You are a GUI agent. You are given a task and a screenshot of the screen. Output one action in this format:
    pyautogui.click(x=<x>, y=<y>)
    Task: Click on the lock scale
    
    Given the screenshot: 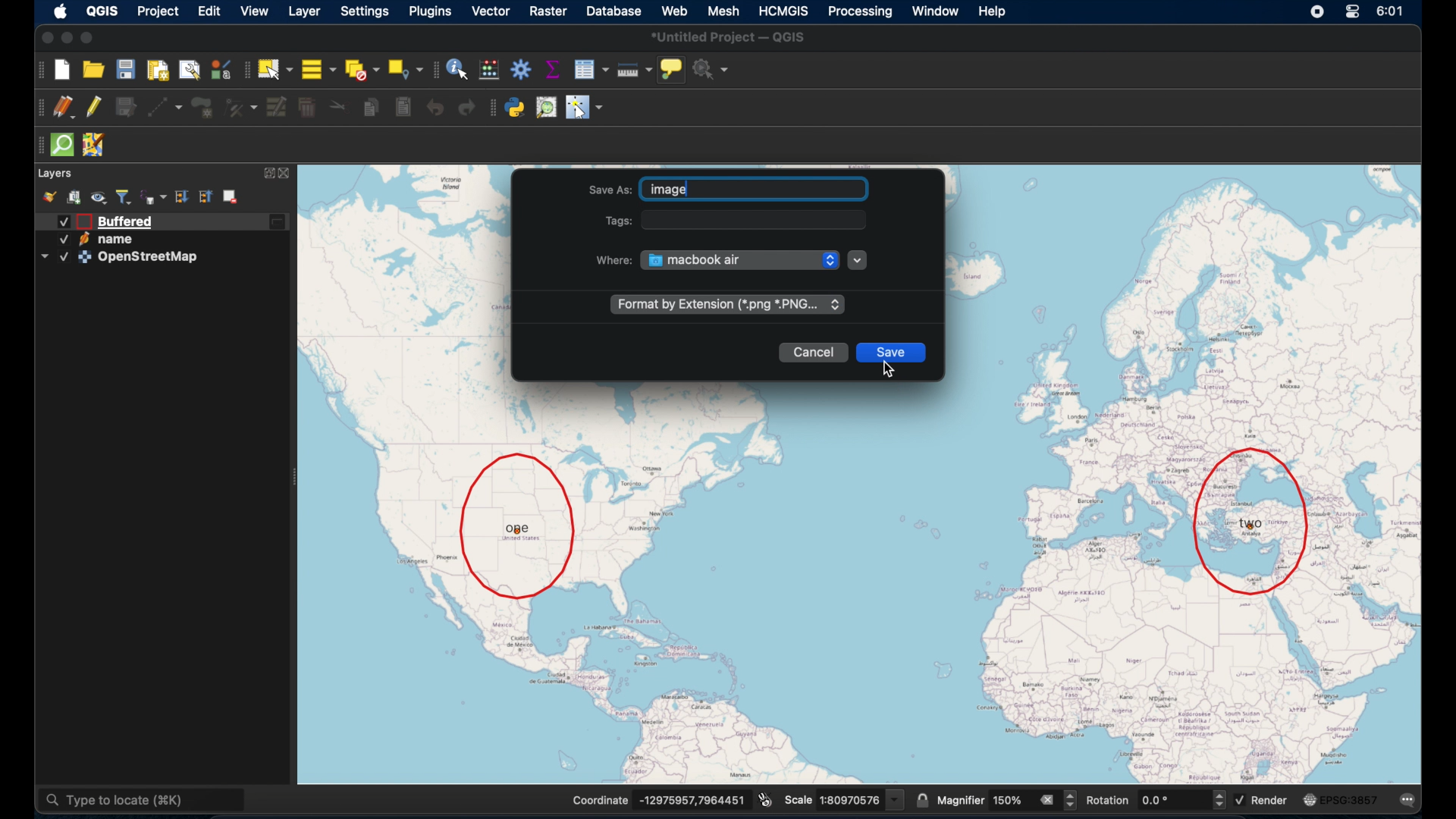 What is the action you would take?
    pyautogui.click(x=922, y=797)
    